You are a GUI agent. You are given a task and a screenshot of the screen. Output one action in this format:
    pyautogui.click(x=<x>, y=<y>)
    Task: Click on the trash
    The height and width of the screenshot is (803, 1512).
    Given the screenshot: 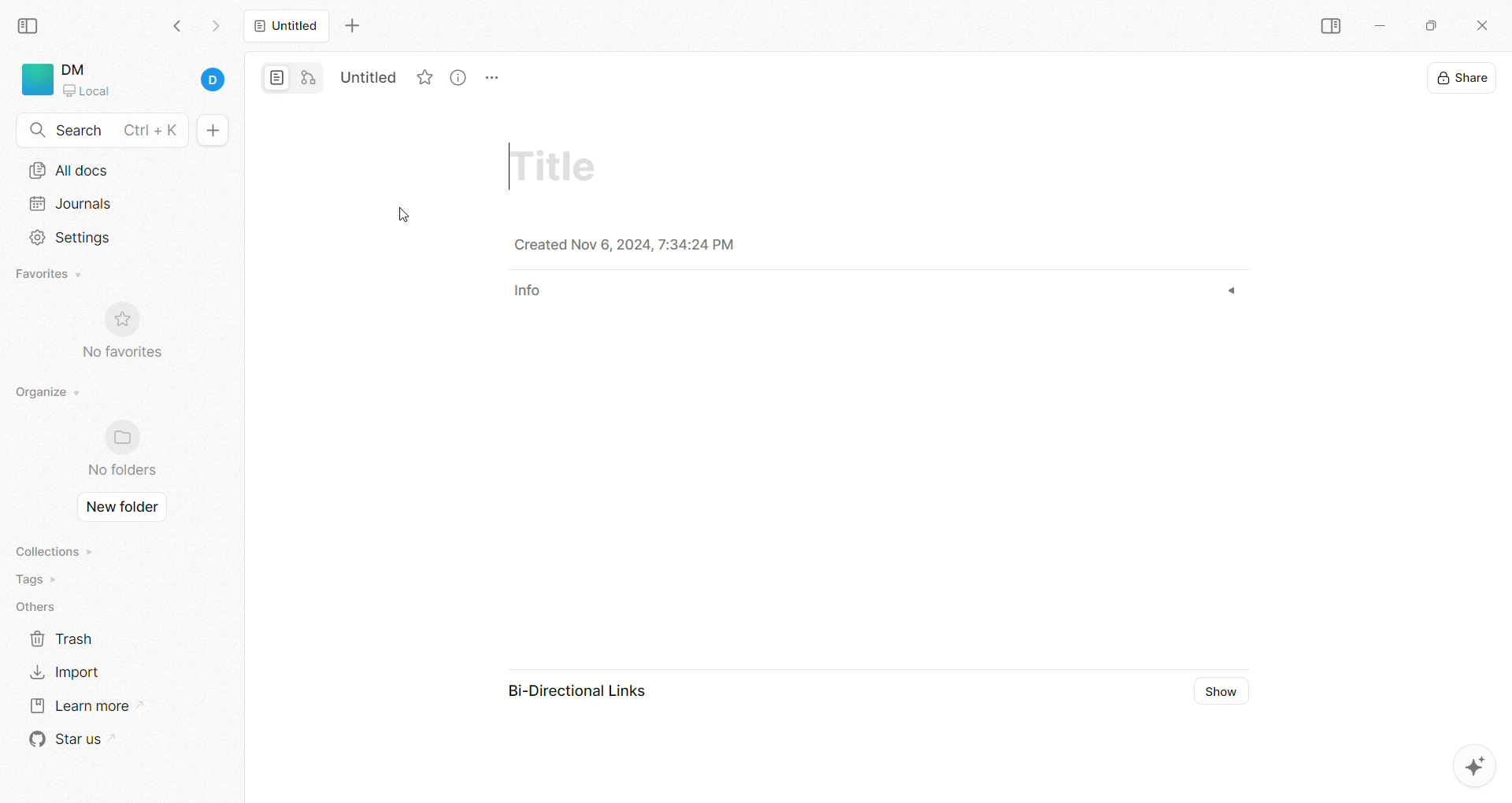 What is the action you would take?
    pyautogui.click(x=63, y=638)
    